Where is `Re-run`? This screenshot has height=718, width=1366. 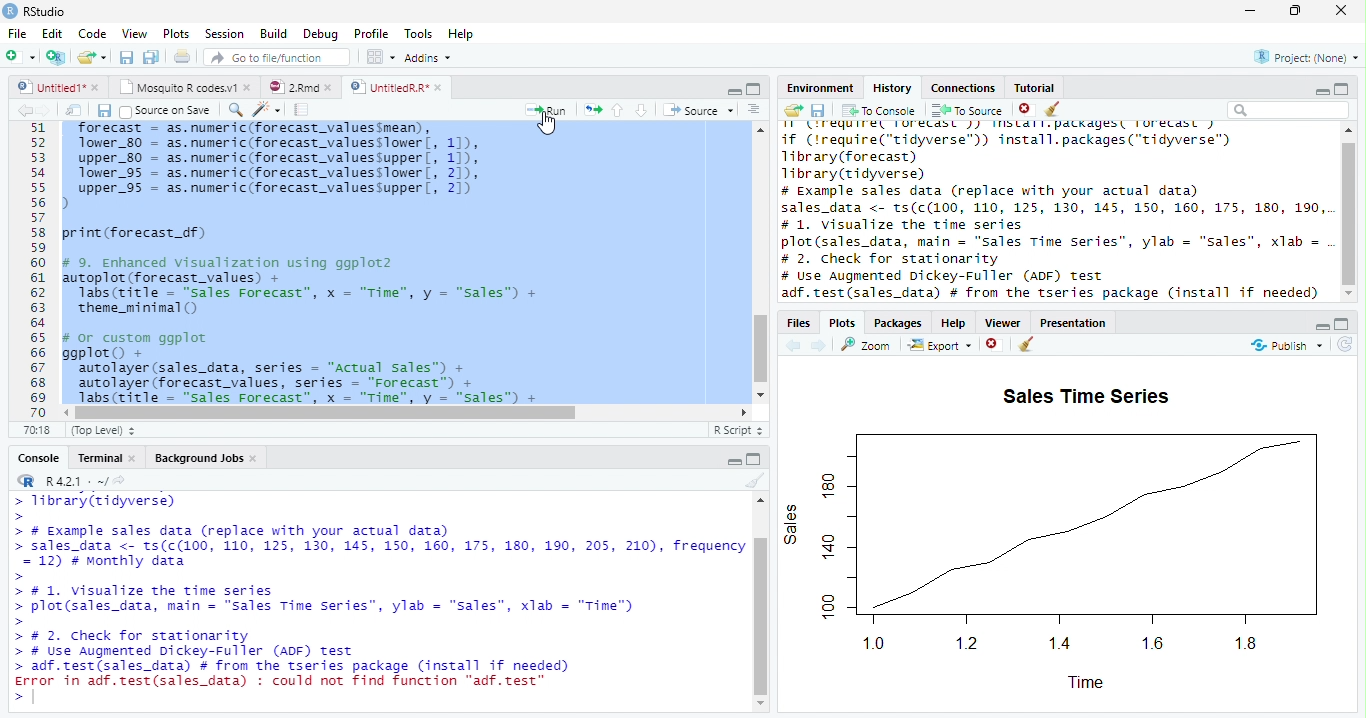
Re-run is located at coordinates (591, 110).